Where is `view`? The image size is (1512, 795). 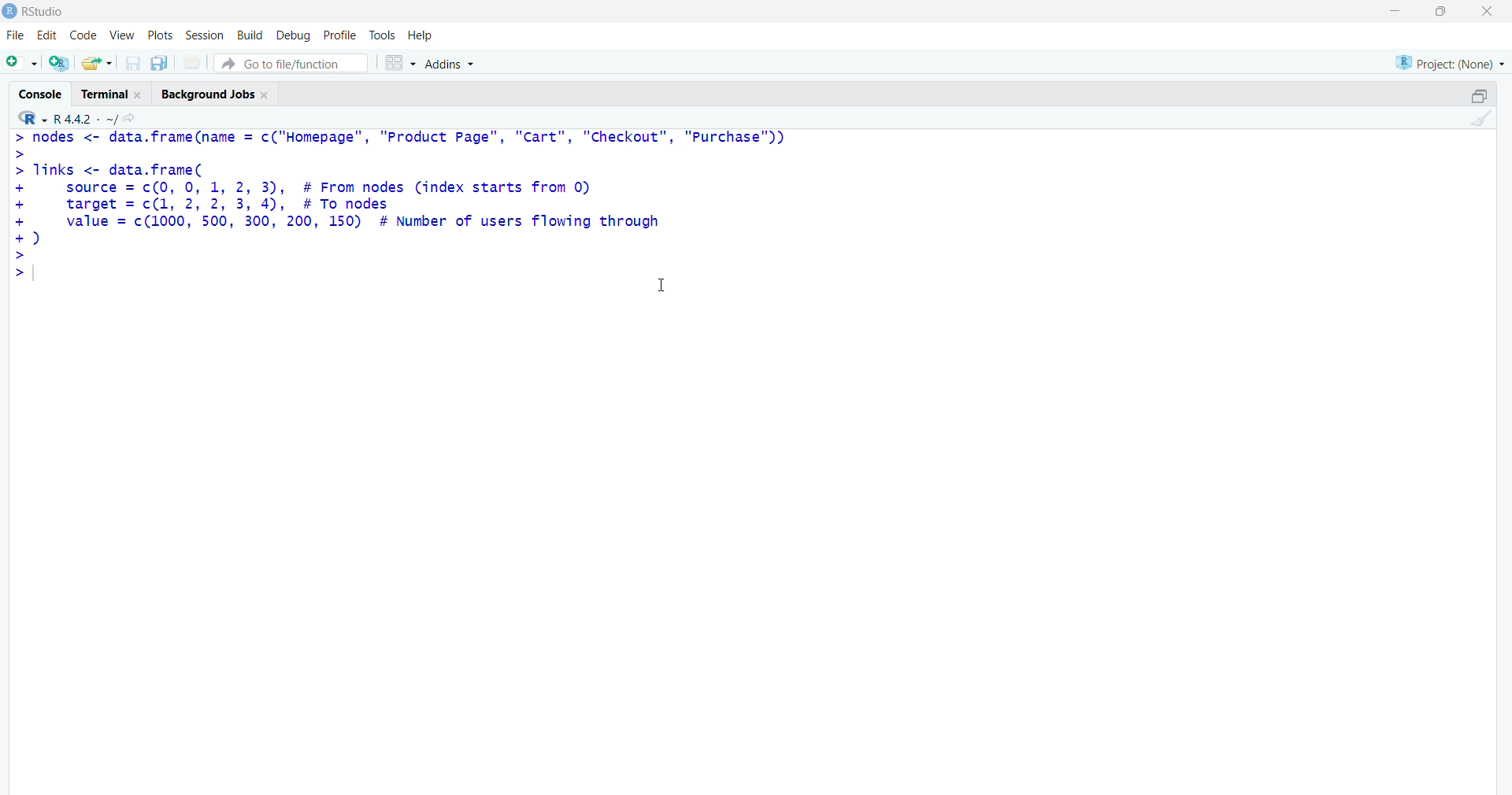 view is located at coordinates (120, 35).